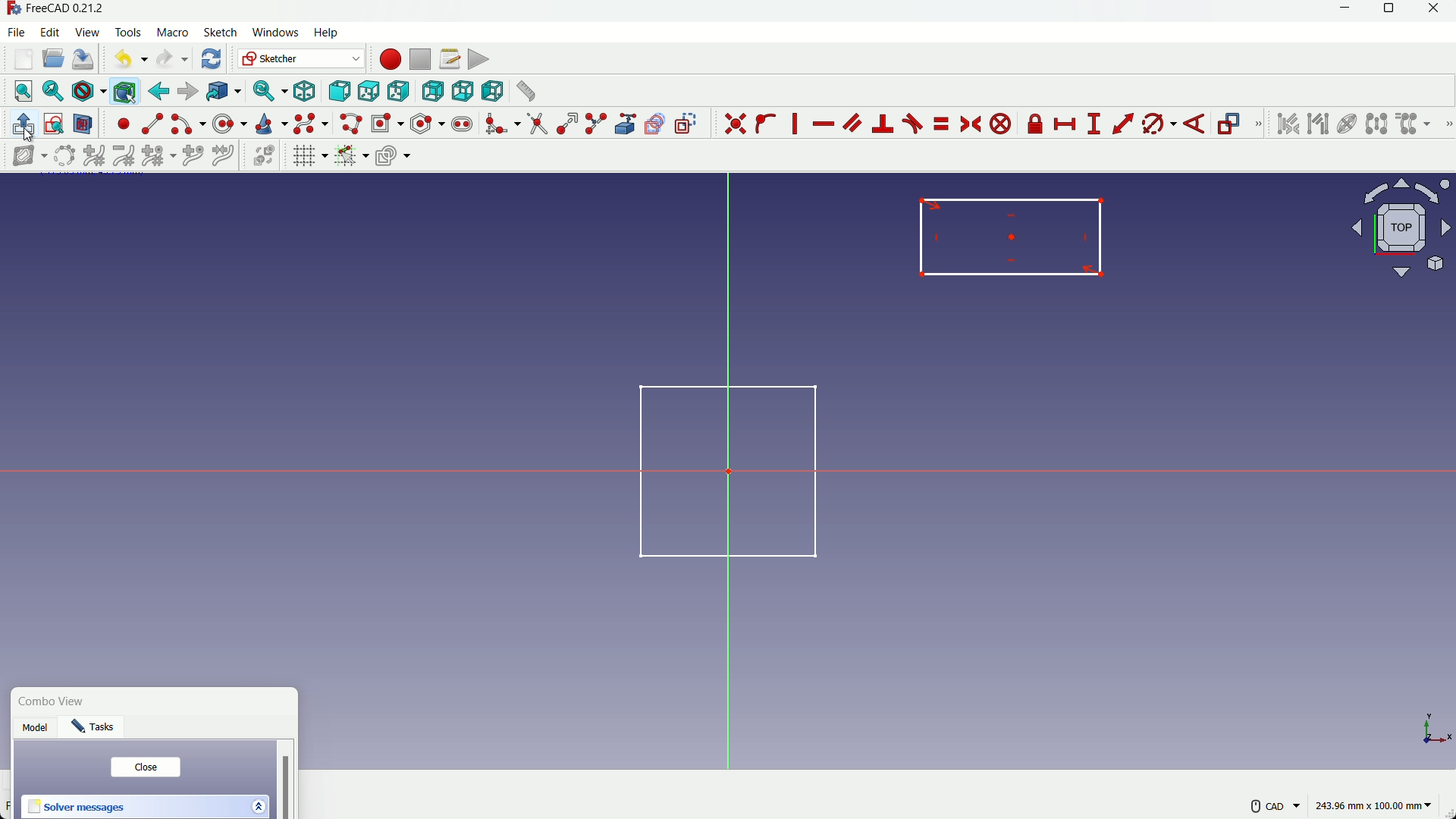 The width and height of the screenshot is (1456, 819). What do you see at coordinates (55, 702) in the screenshot?
I see `Combo View` at bounding box center [55, 702].